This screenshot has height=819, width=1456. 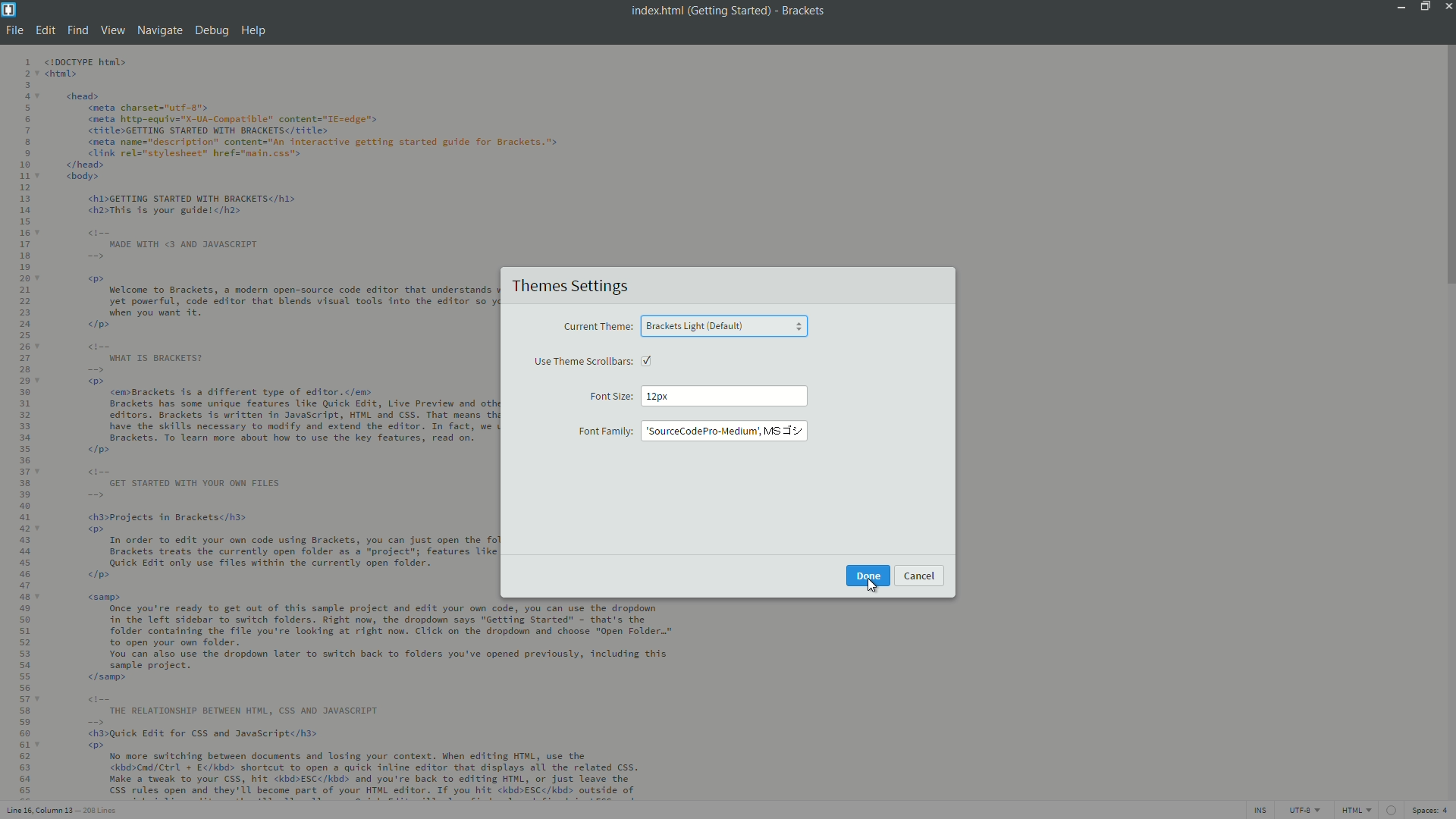 What do you see at coordinates (254, 32) in the screenshot?
I see `help menu` at bounding box center [254, 32].